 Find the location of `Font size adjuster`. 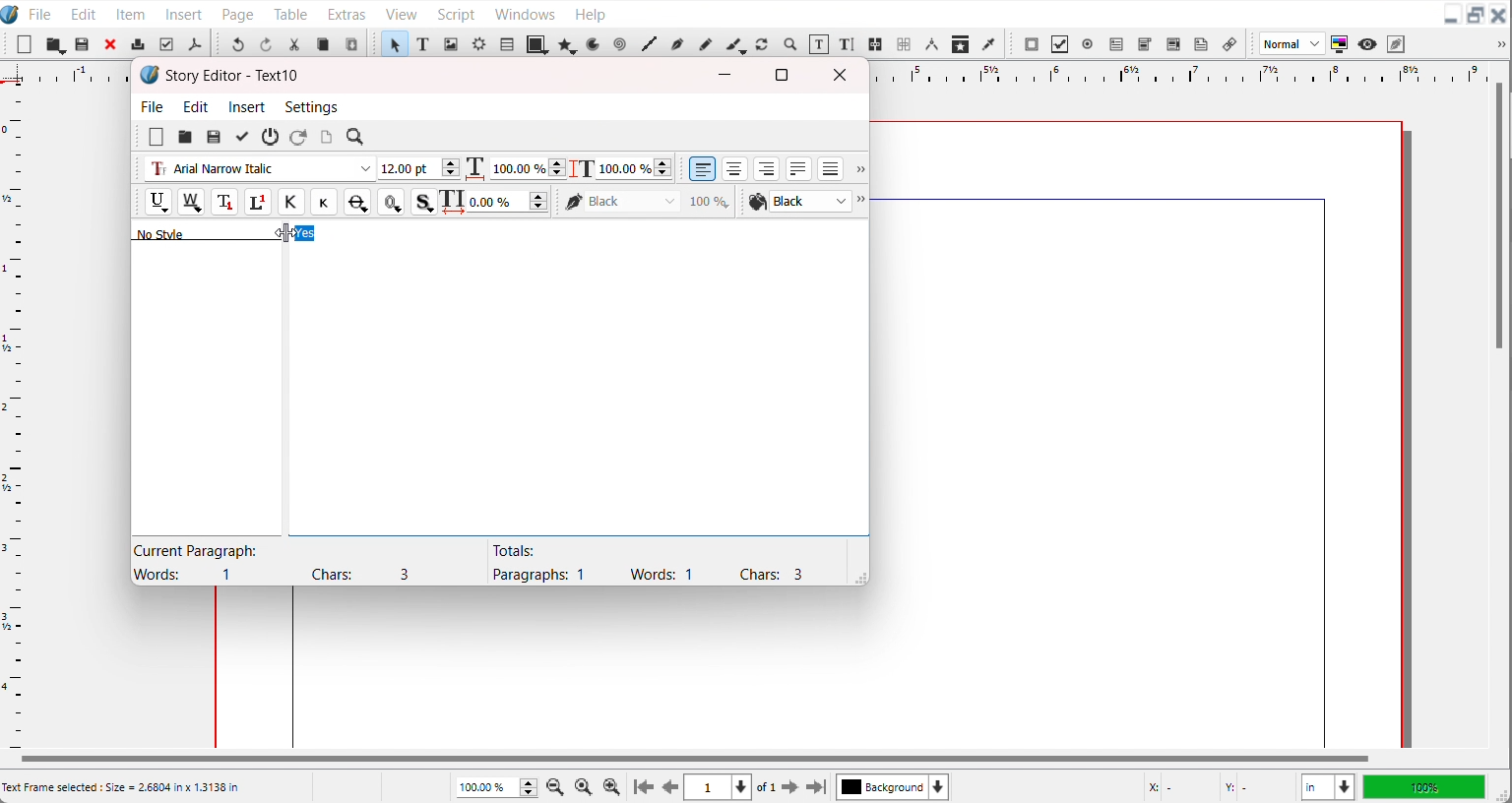

Font size adjuster is located at coordinates (418, 168).